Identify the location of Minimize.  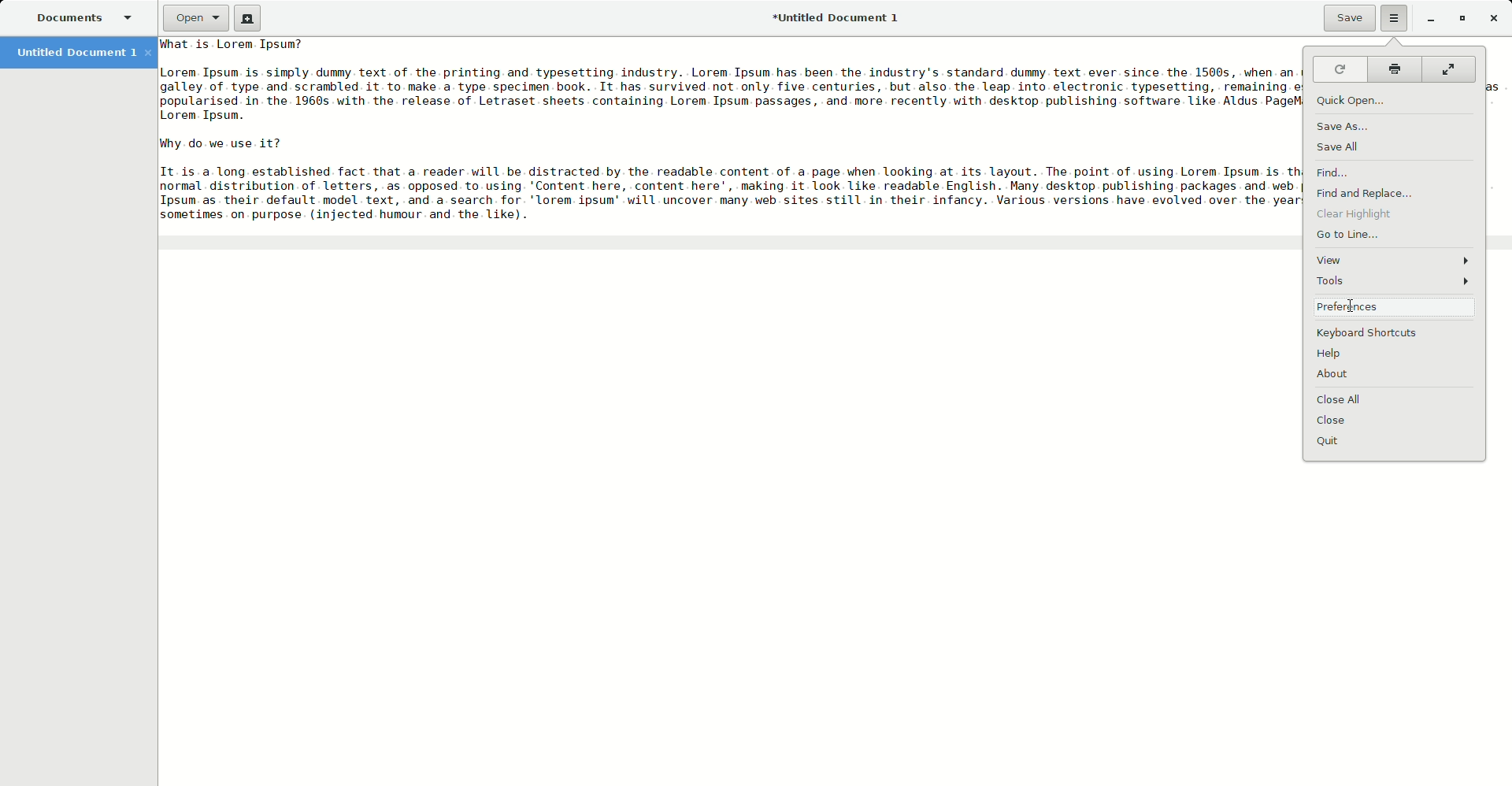
(1426, 20).